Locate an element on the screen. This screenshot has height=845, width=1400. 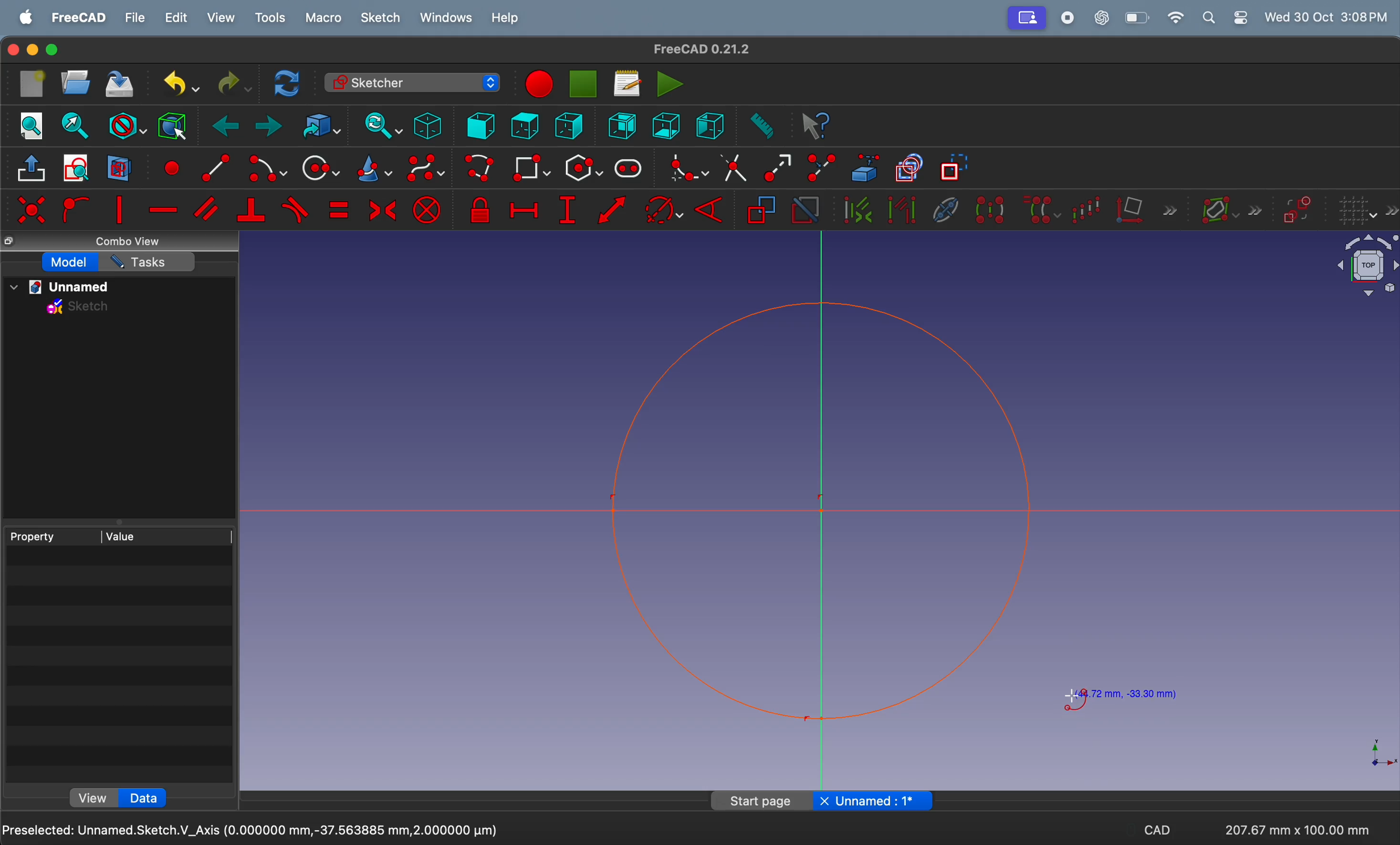
measure distance is located at coordinates (760, 127).